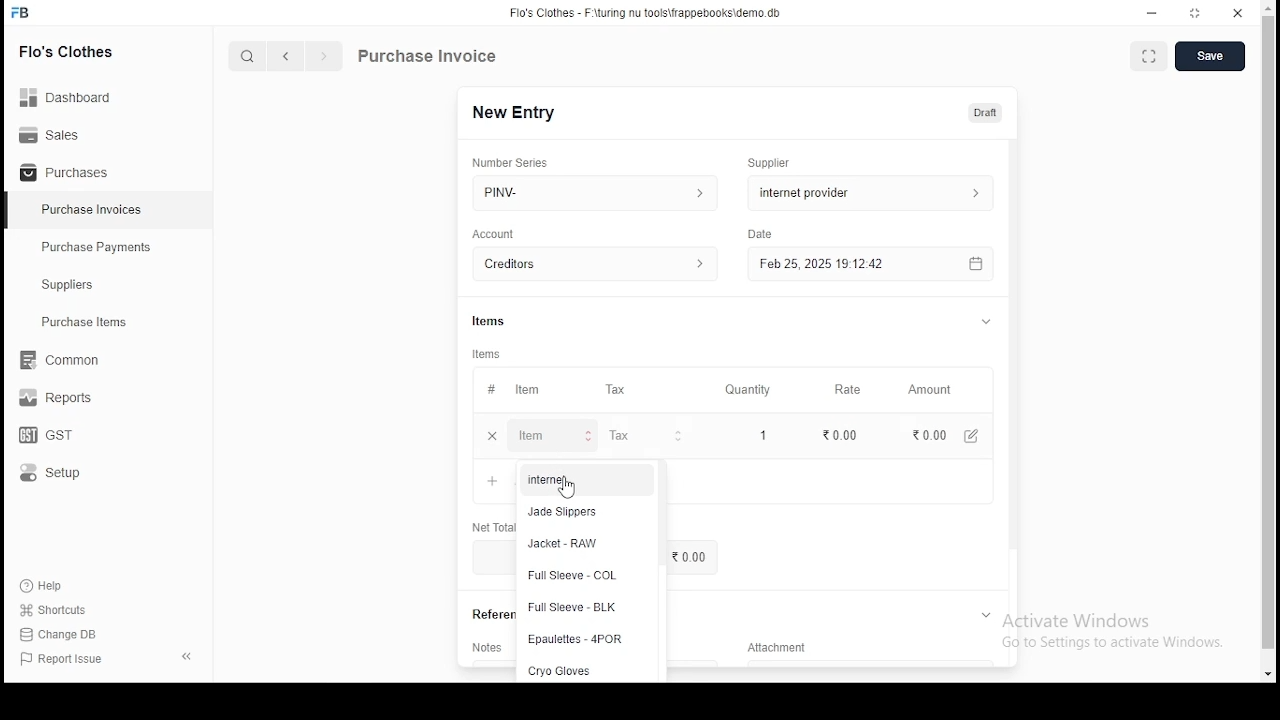 This screenshot has height=720, width=1280. I want to click on new entry, so click(515, 112).